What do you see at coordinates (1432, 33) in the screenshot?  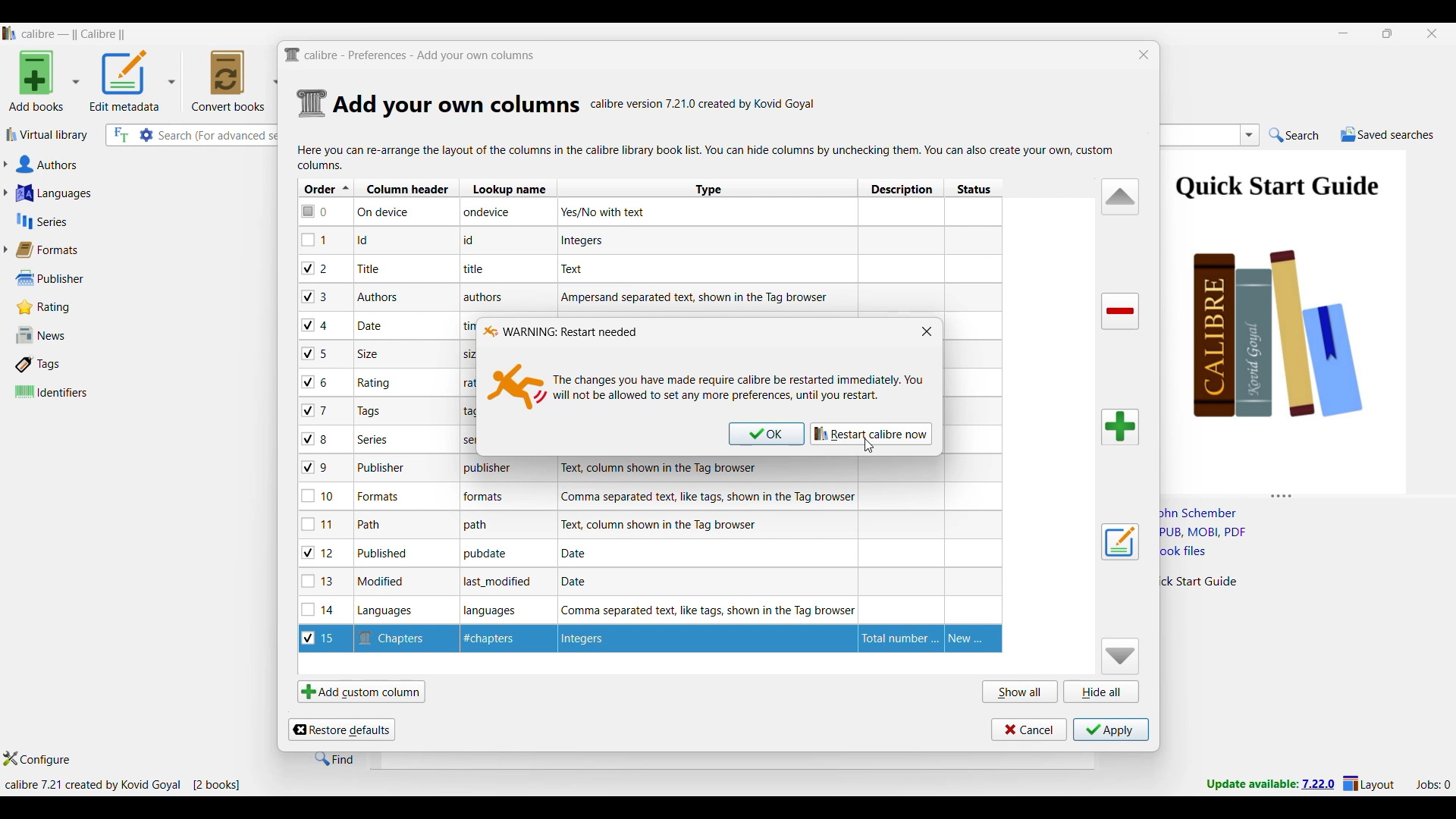 I see `Close interface` at bounding box center [1432, 33].